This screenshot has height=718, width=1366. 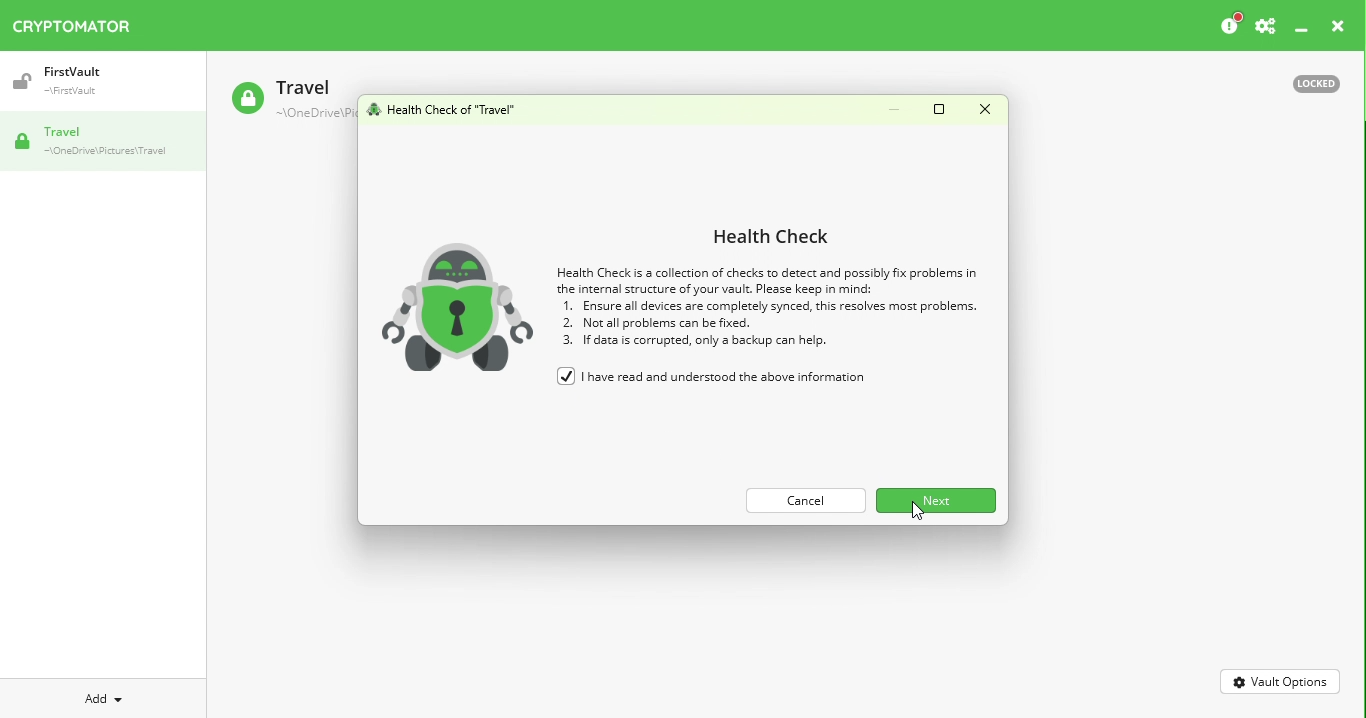 I want to click on Health check for vault, so click(x=442, y=109).